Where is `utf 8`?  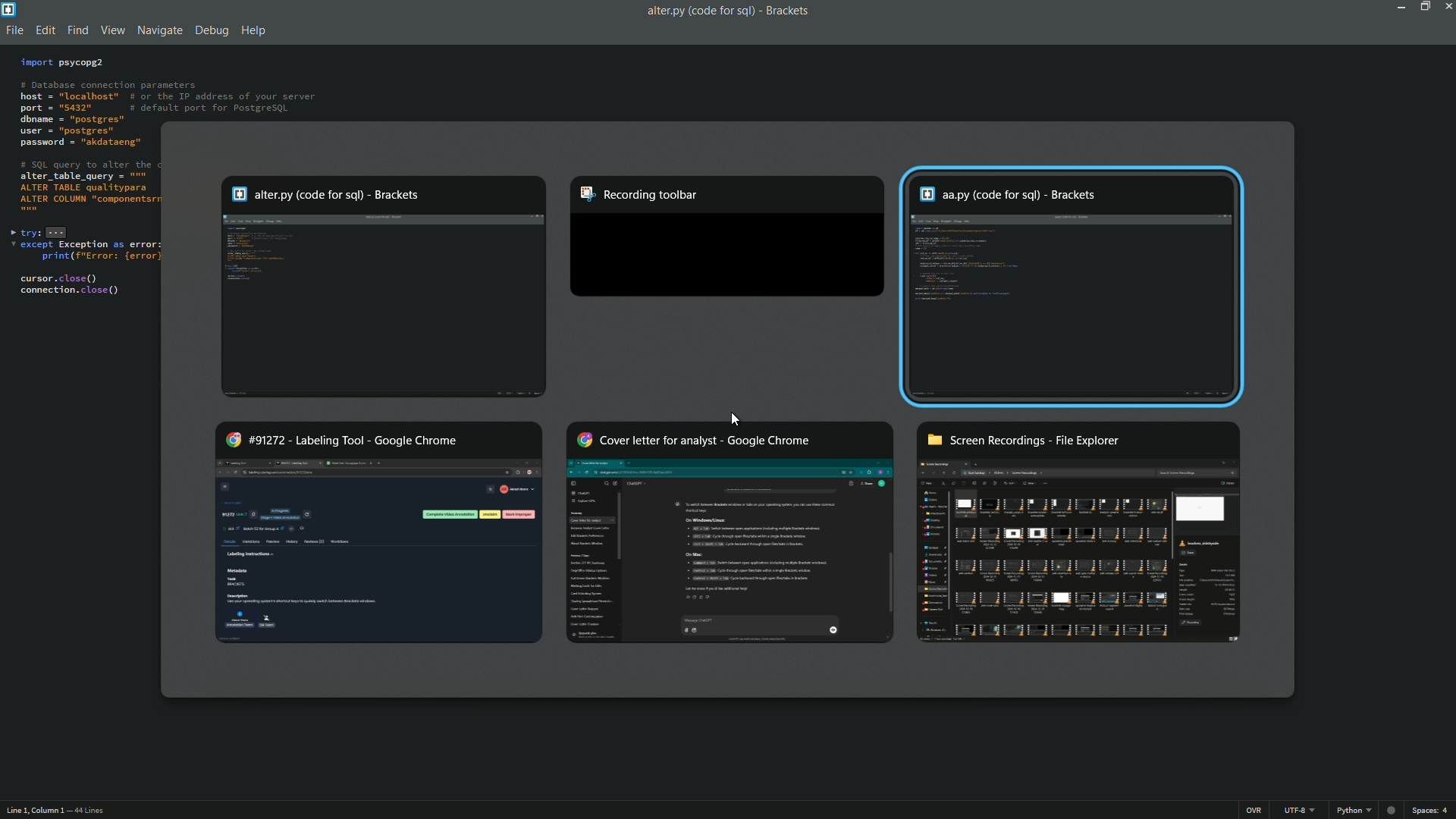 utf 8 is located at coordinates (1301, 811).